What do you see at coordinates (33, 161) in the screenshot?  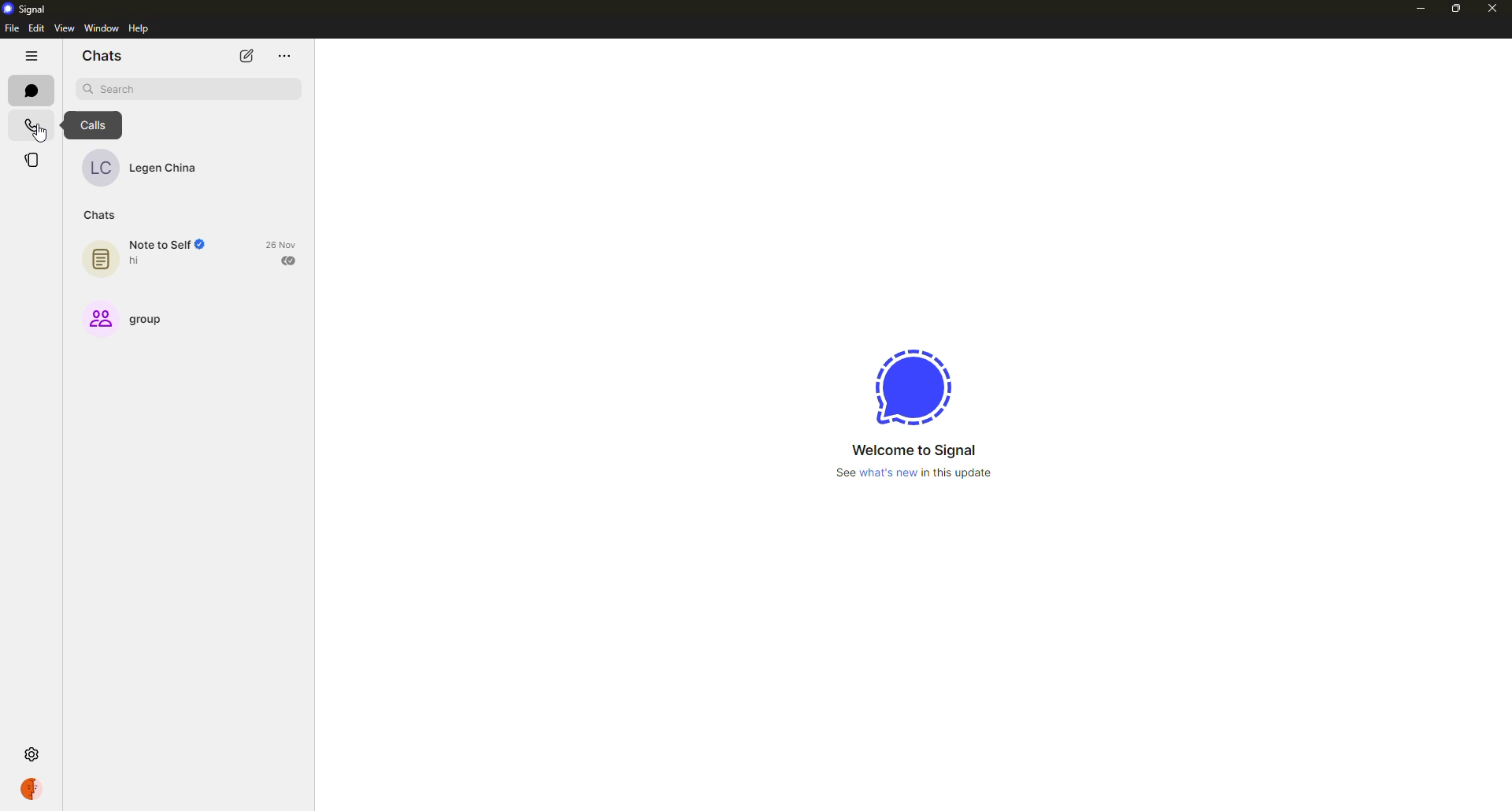 I see `stories` at bounding box center [33, 161].